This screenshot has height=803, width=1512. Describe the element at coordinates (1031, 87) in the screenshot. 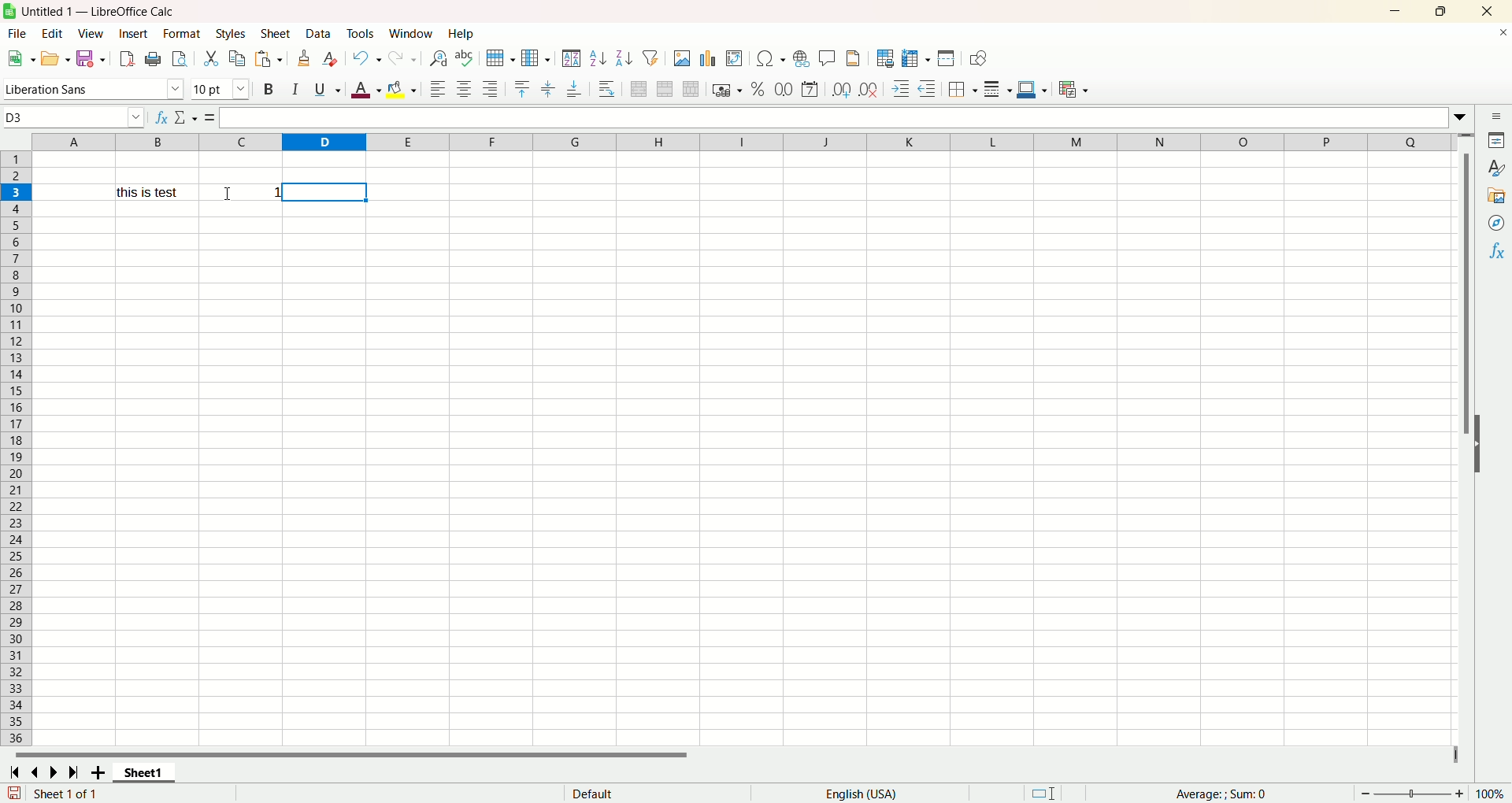

I see `border color` at that location.